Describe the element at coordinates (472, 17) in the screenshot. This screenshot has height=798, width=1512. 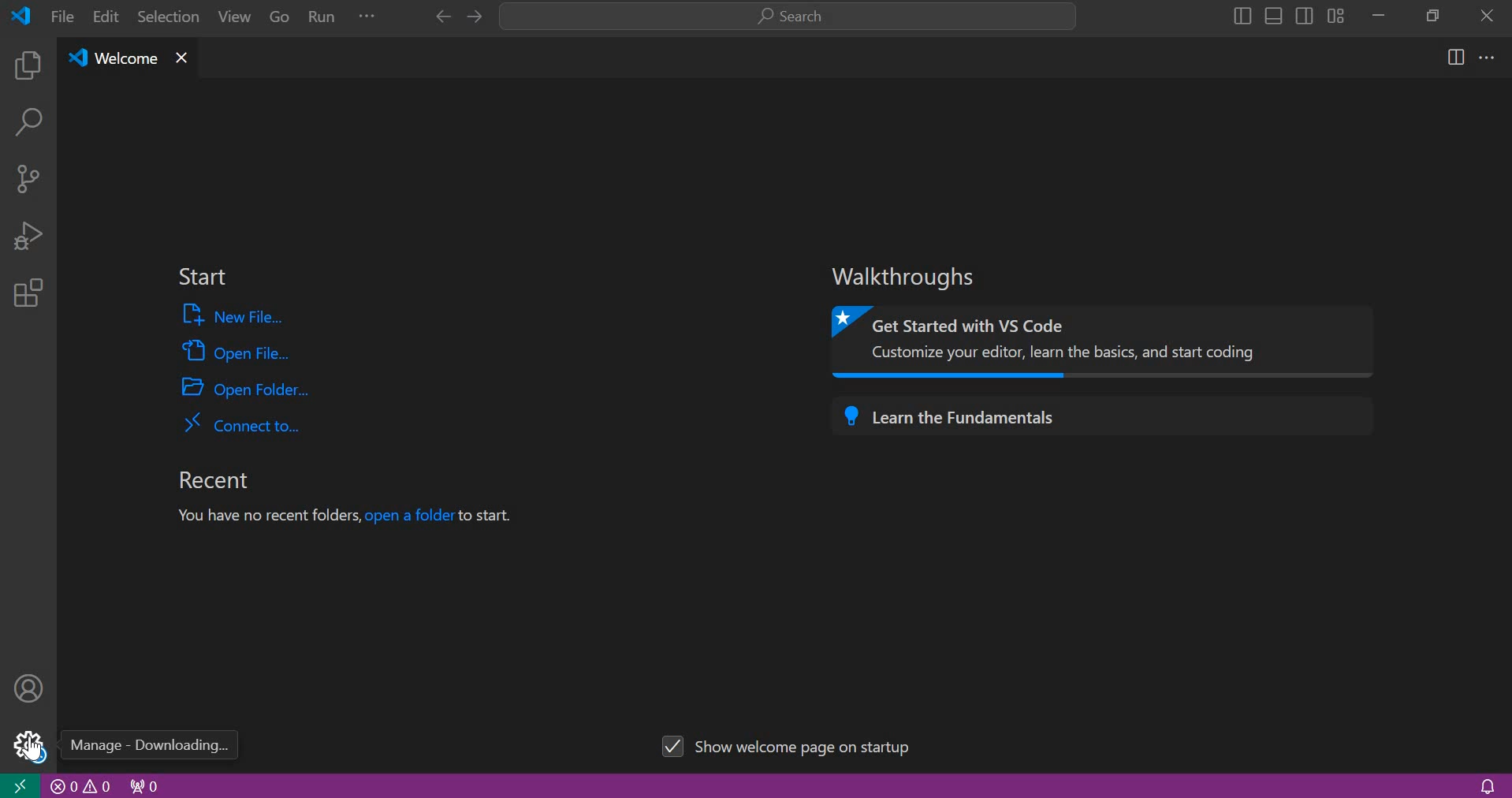
I see `go forward` at that location.